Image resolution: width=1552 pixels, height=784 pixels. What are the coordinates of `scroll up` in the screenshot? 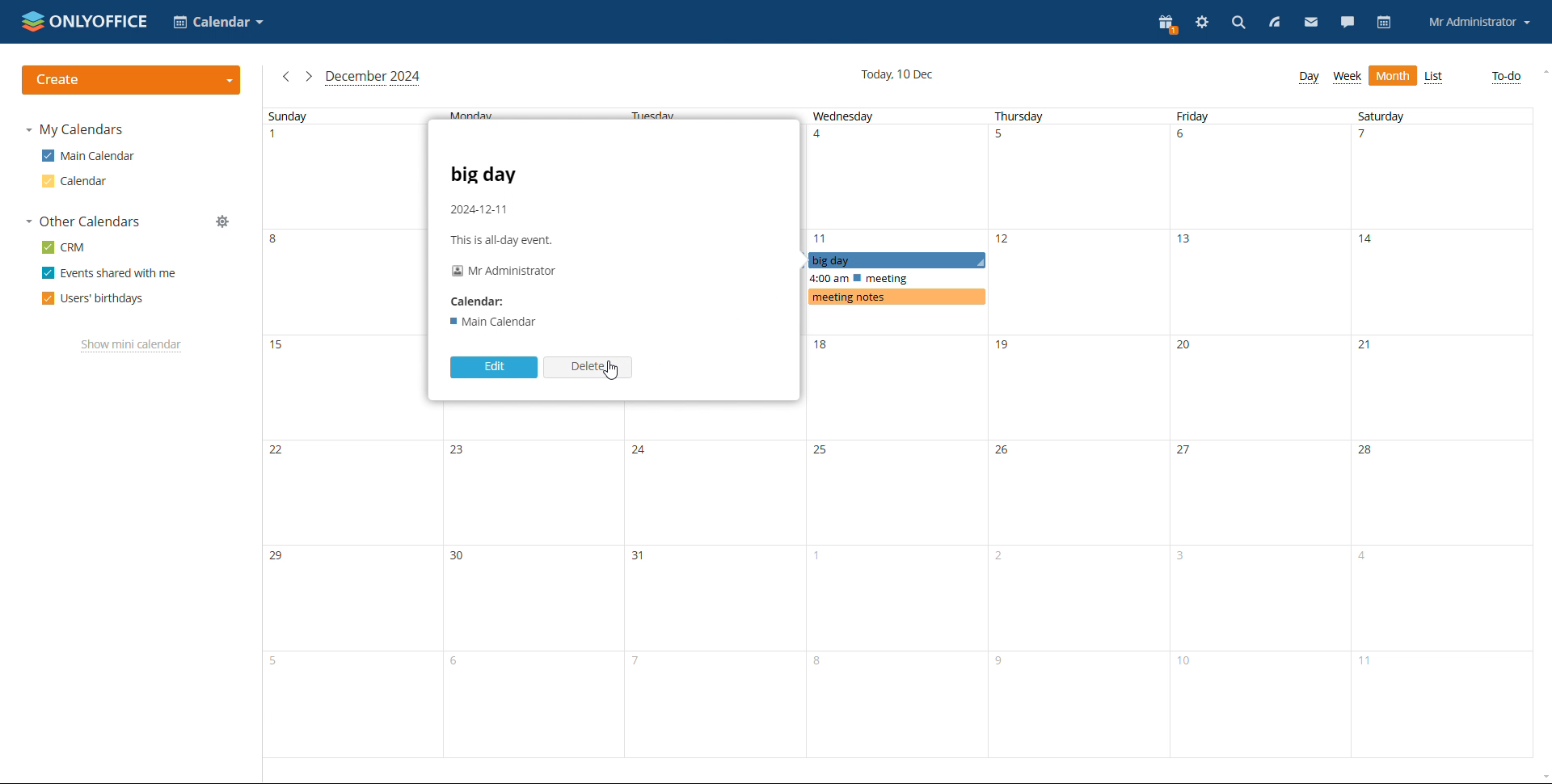 It's located at (1542, 71).